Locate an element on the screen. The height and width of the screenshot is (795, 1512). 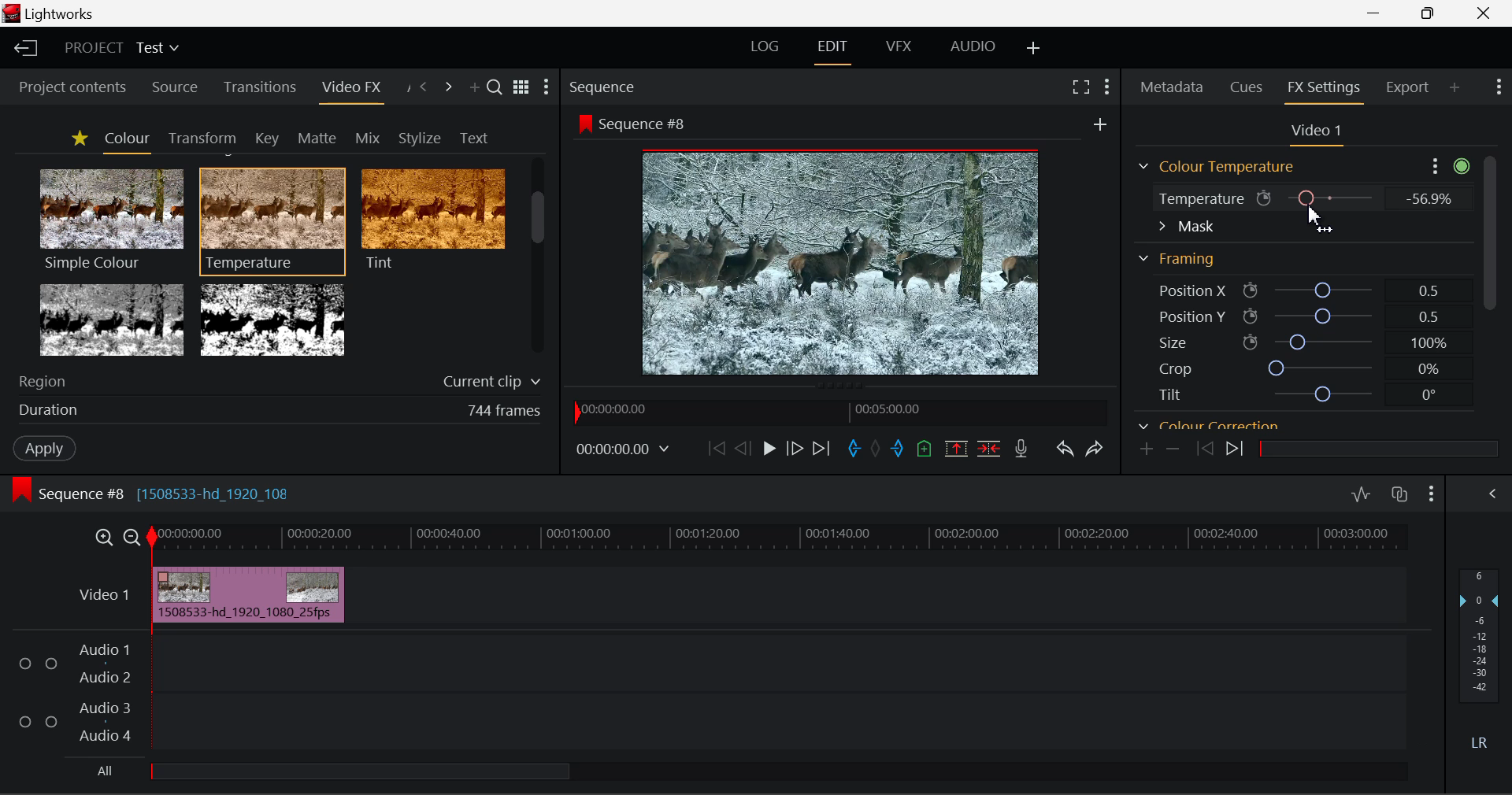
Position X is located at coordinates (1322, 291).